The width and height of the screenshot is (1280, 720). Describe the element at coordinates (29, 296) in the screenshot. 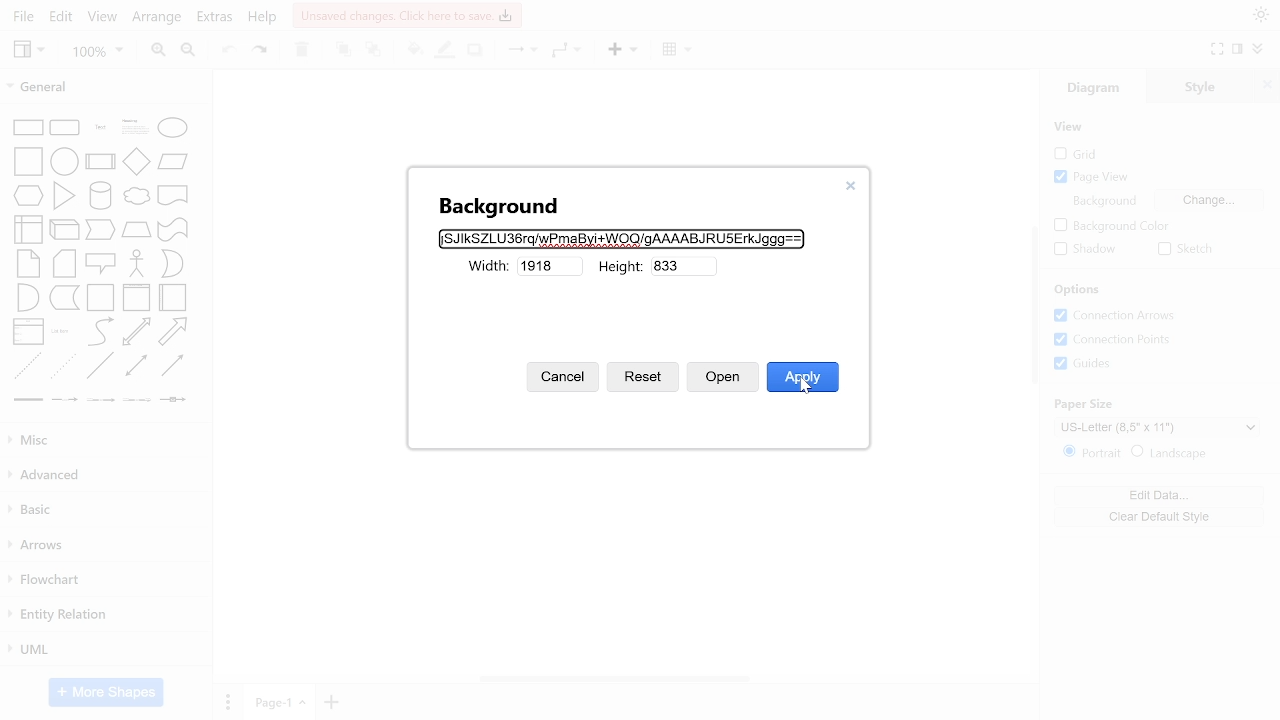

I see `general shapes` at that location.